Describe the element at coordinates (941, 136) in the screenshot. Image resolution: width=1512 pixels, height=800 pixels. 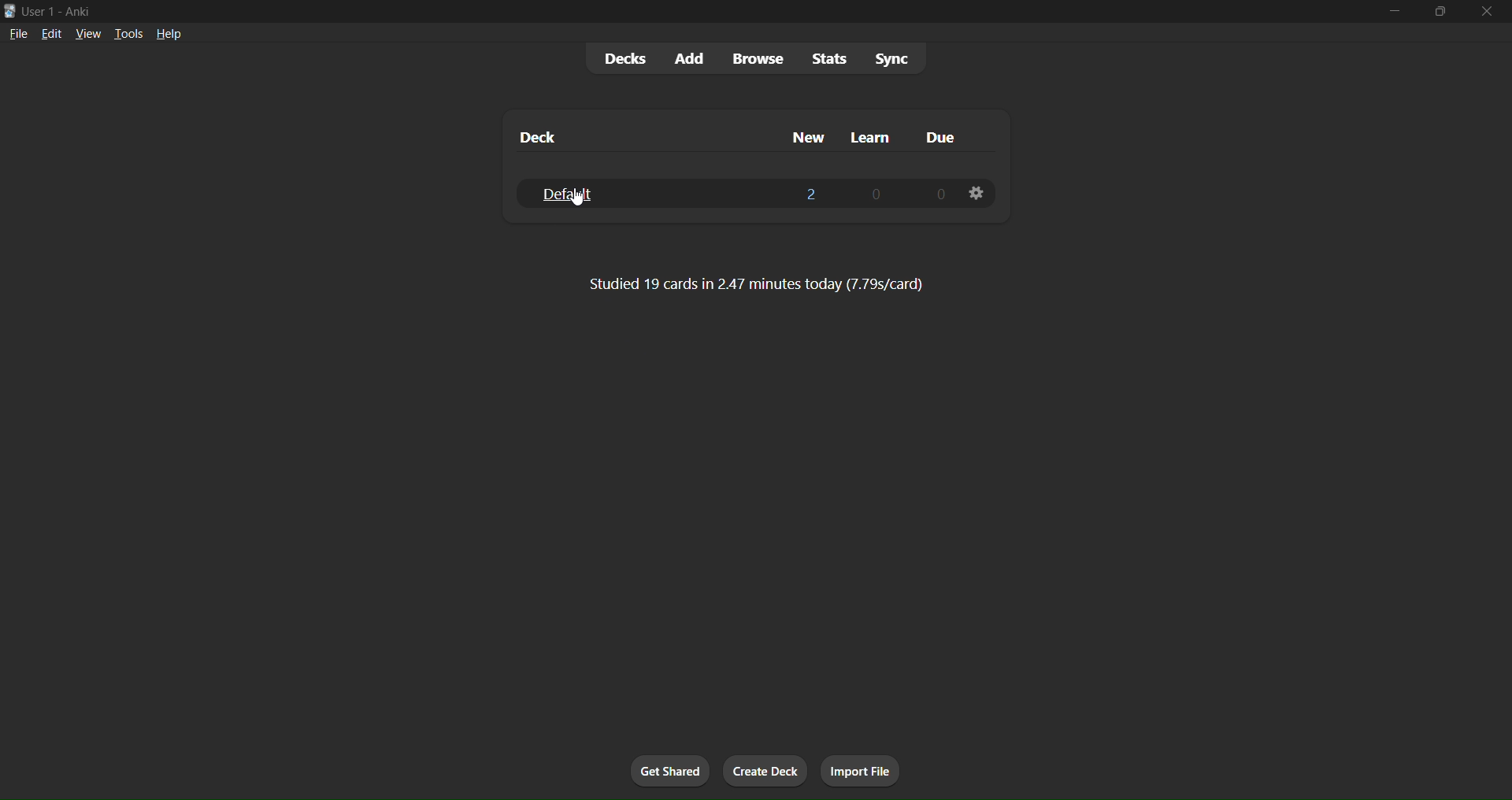
I see `due` at that location.